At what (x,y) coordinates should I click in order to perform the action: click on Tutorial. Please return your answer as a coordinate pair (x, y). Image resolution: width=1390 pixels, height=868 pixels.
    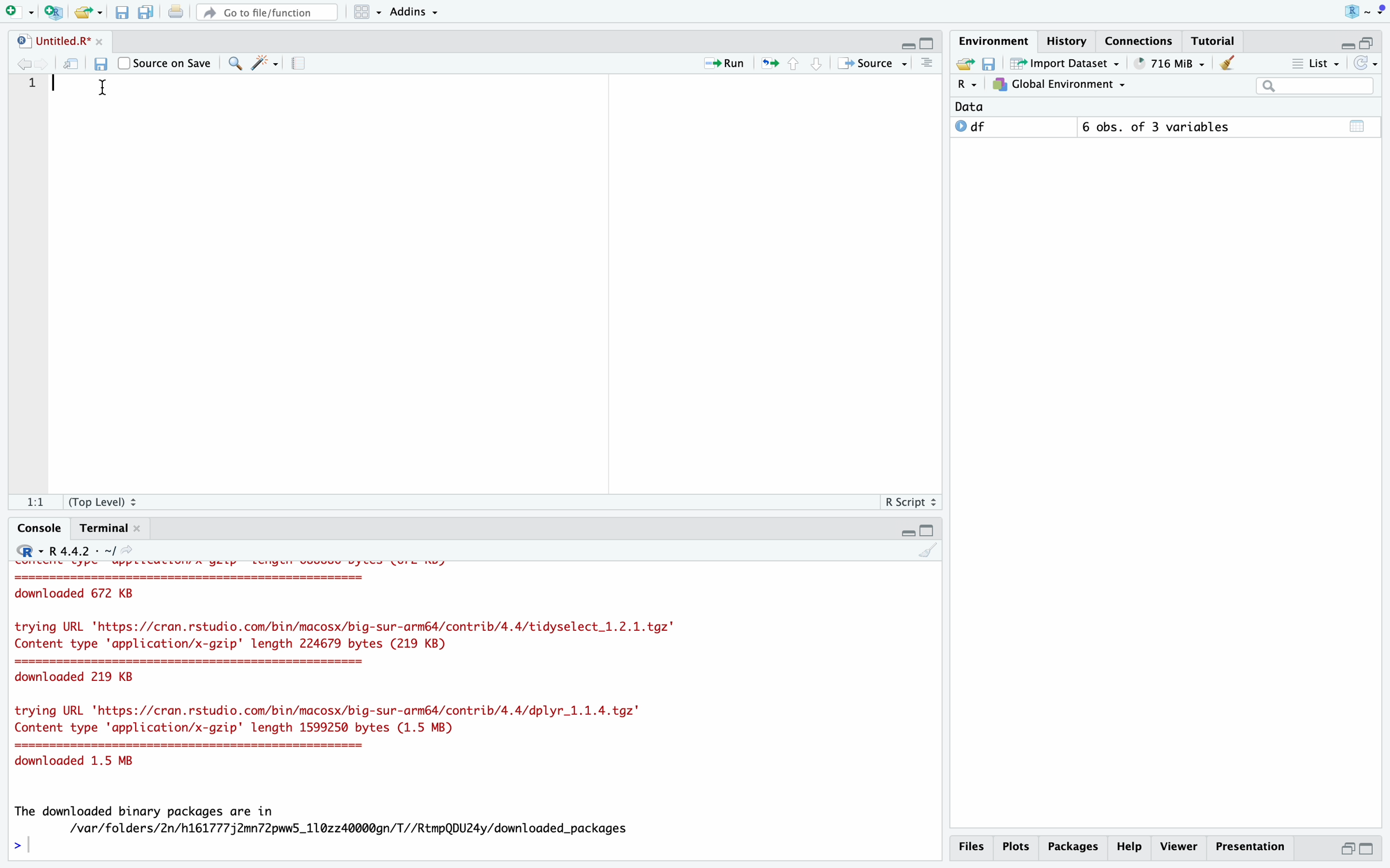
    Looking at the image, I should click on (1210, 41).